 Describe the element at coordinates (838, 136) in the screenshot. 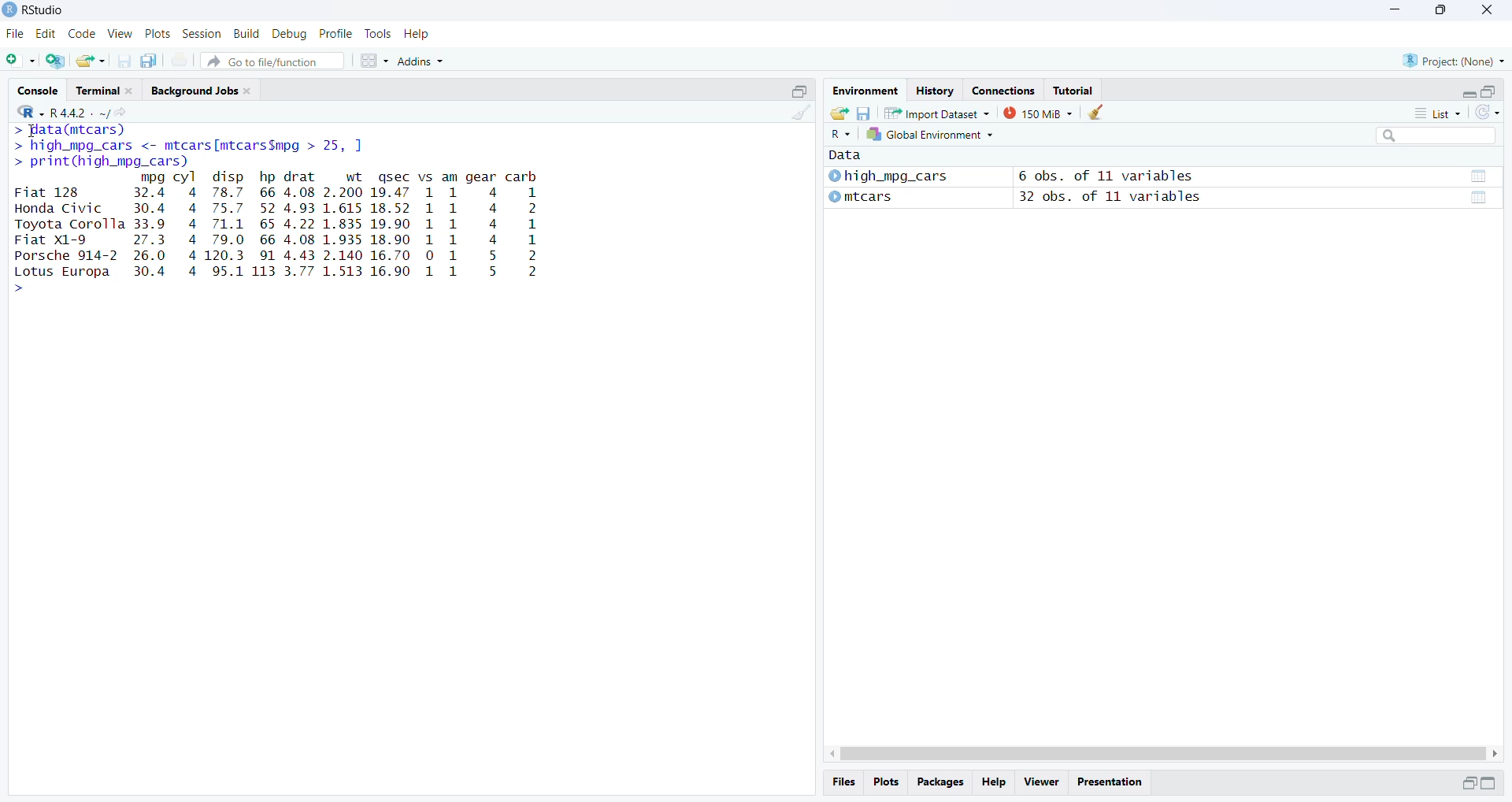

I see `R` at that location.